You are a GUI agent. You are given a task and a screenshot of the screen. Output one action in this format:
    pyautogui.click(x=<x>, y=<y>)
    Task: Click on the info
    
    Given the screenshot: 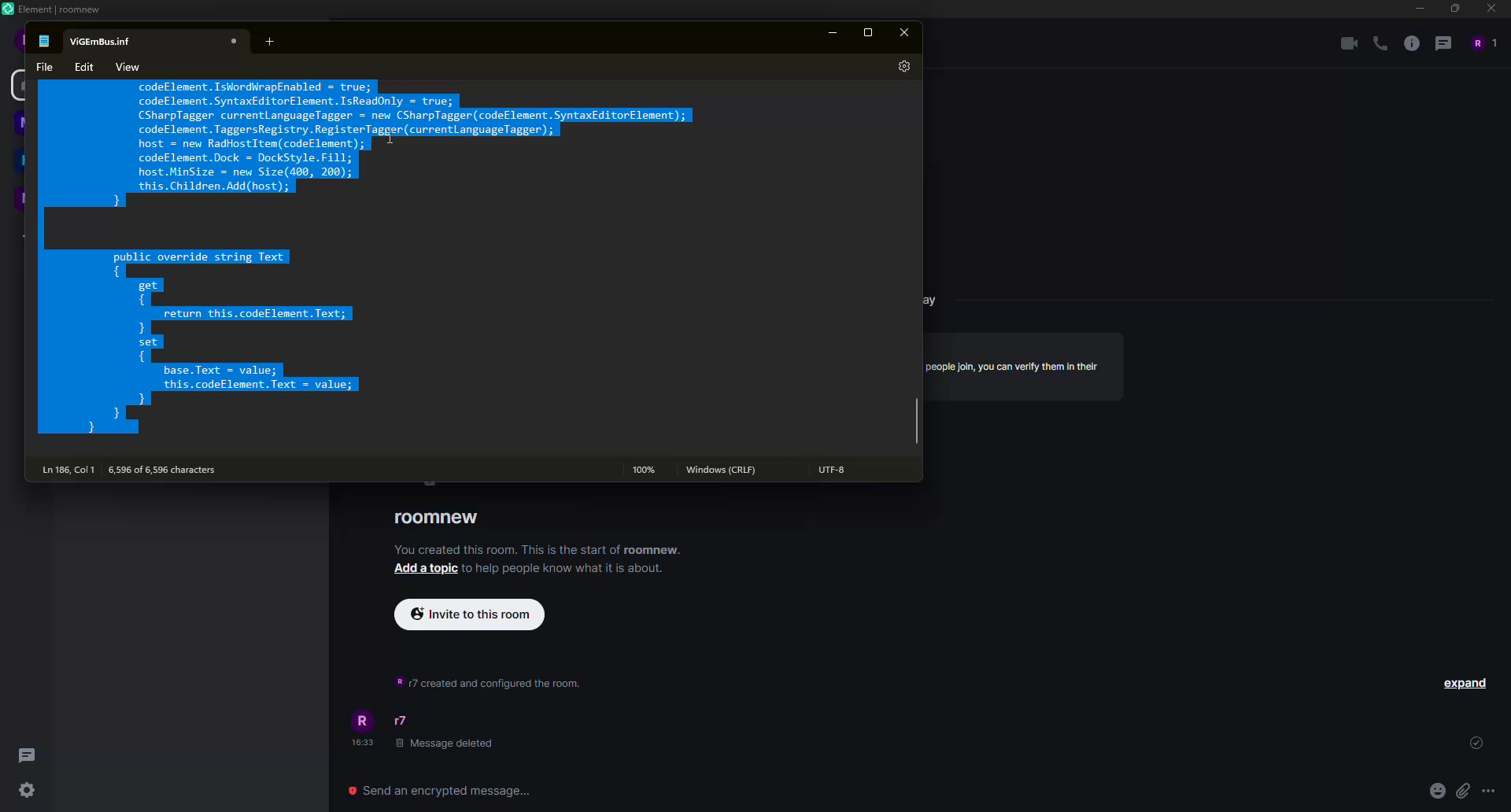 What is the action you would take?
    pyautogui.click(x=1410, y=43)
    